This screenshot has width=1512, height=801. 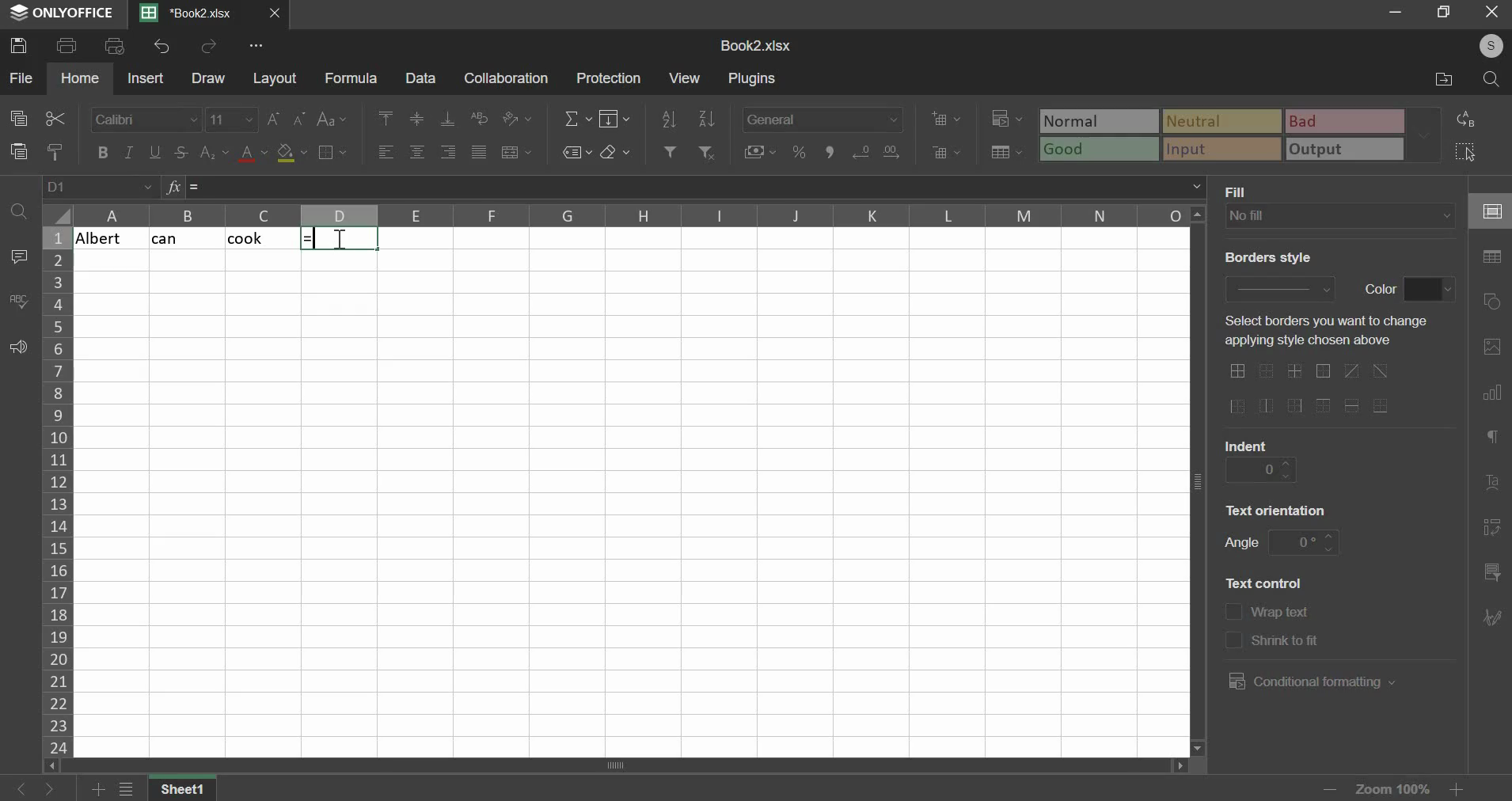 What do you see at coordinates (420, 78) in the screenshot?
I see `data` at bounding box center [420, 78].